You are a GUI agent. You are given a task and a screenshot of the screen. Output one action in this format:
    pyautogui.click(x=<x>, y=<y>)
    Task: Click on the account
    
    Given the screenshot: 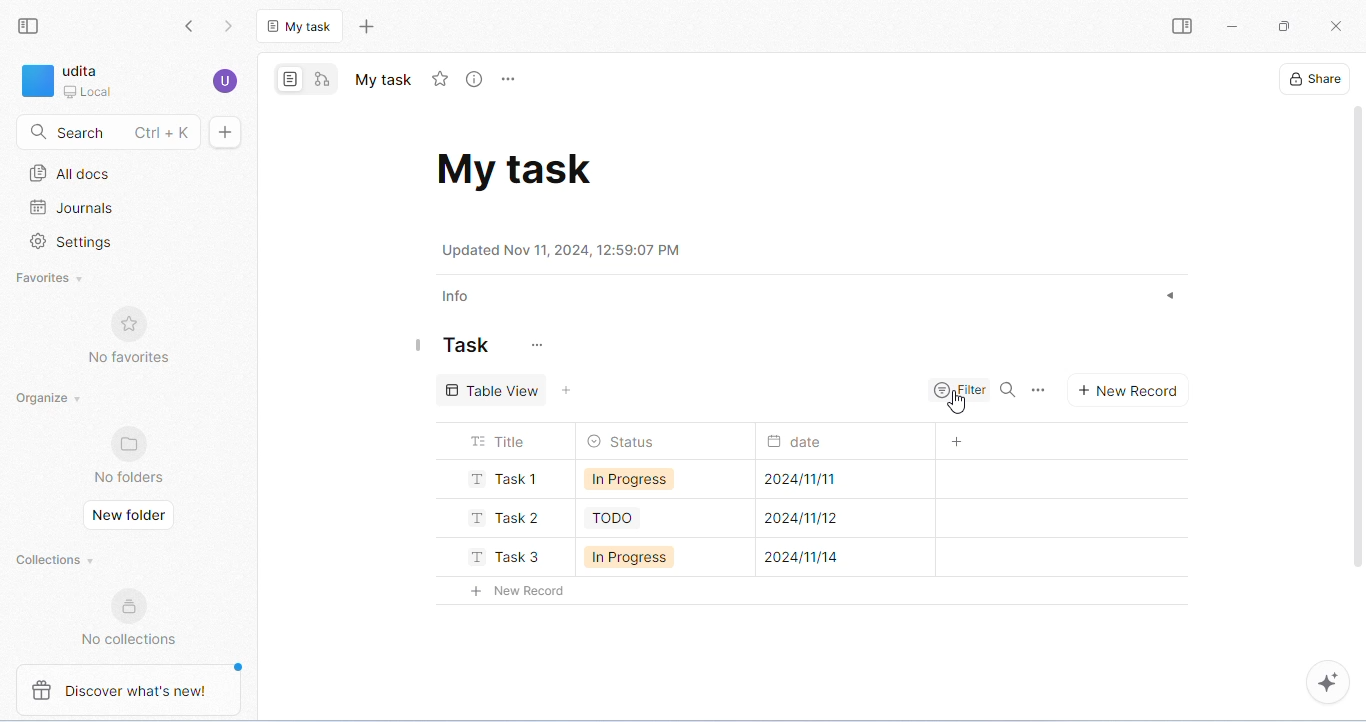 What is the action you would take?
    pyautogui.click(x=225, y=81)
    